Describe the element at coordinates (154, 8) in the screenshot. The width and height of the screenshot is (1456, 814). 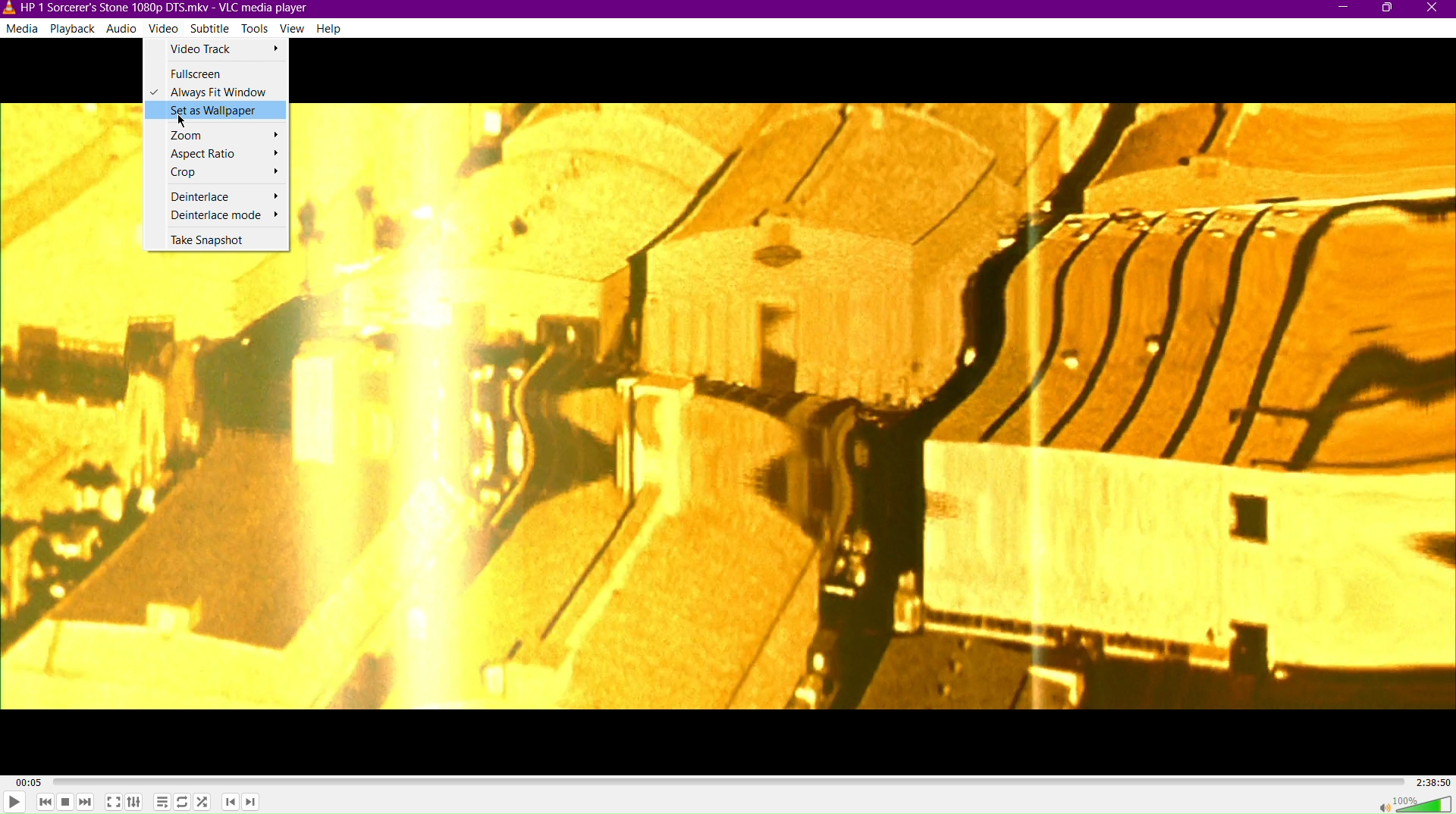
I see `HP1 sorcer's stone 1080 DTS -VLC media player` at that location.